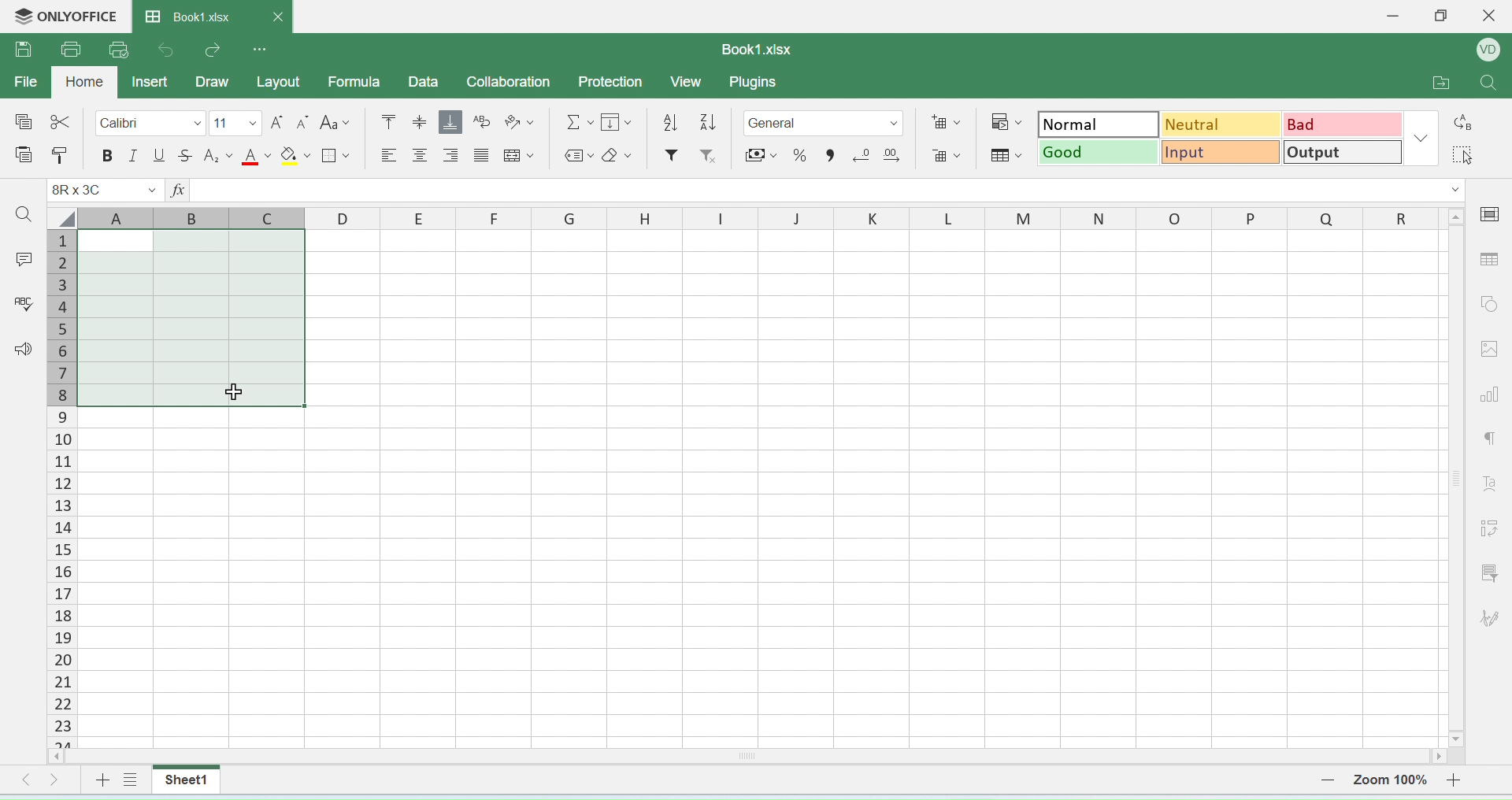 Image resolution: width=1512 pixels, height=800 pixels. What do you see at coordinates (341, 123) in the screenshot?
I see `font style` at bounding box center [341, 123].